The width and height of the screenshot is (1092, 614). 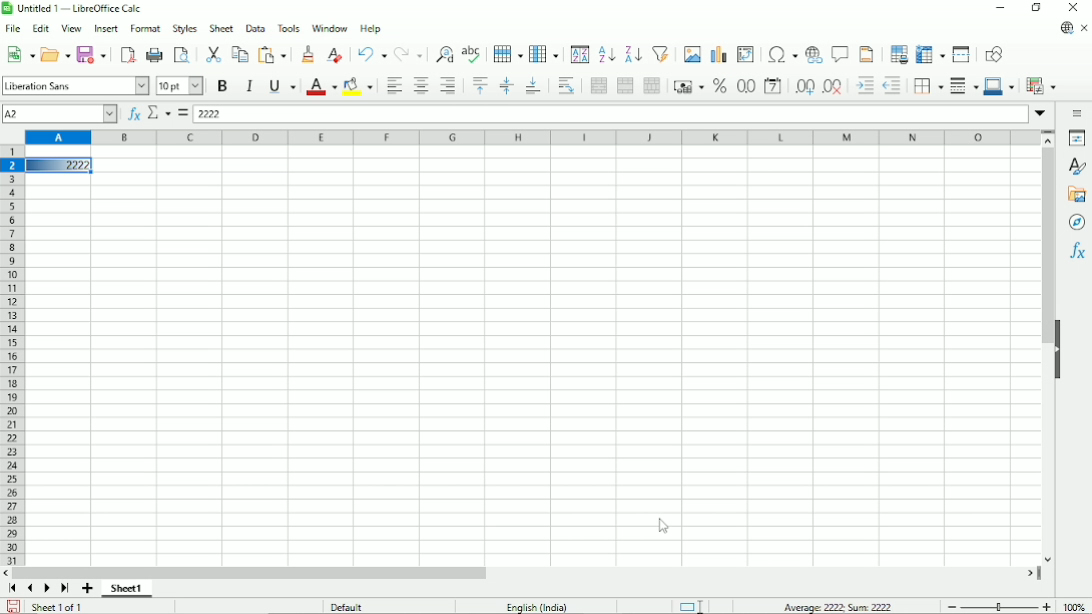 I want to click on Merge cells, so click(x=625, y=85).